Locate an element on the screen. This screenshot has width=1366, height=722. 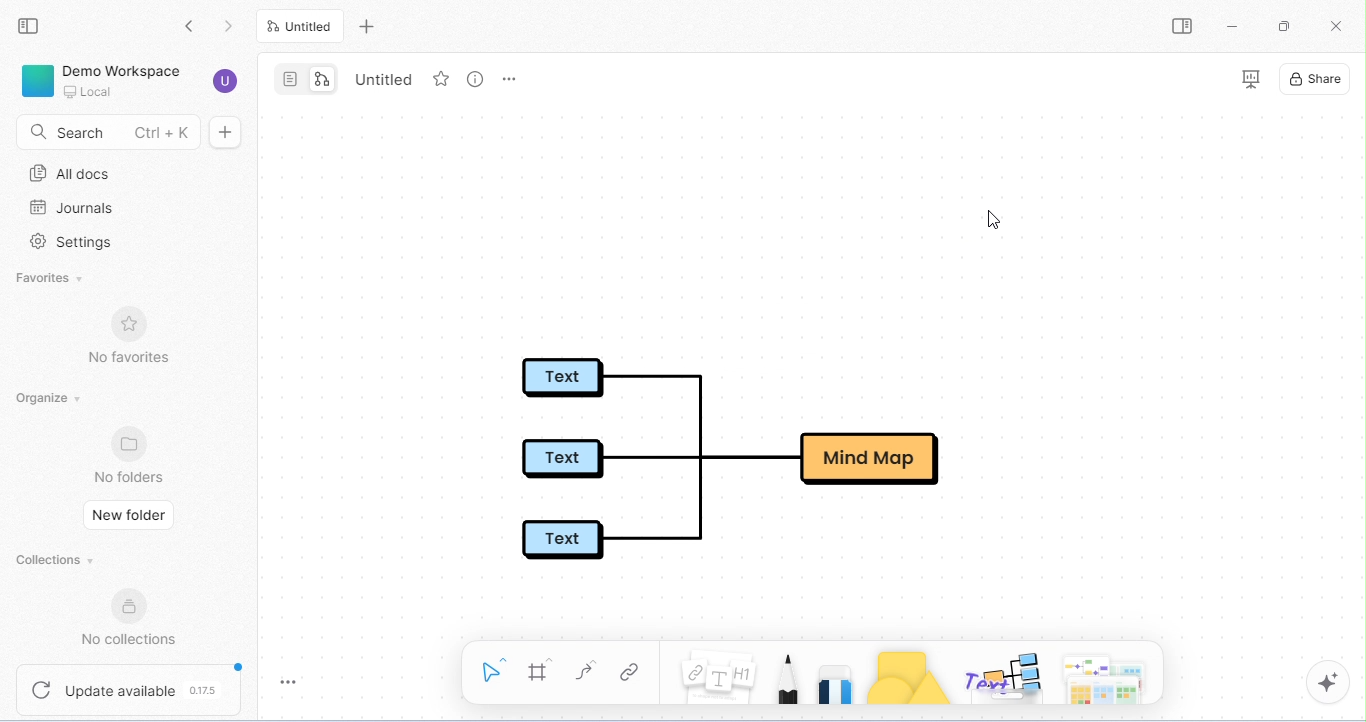
no folders is located at coordinates (132, 456).